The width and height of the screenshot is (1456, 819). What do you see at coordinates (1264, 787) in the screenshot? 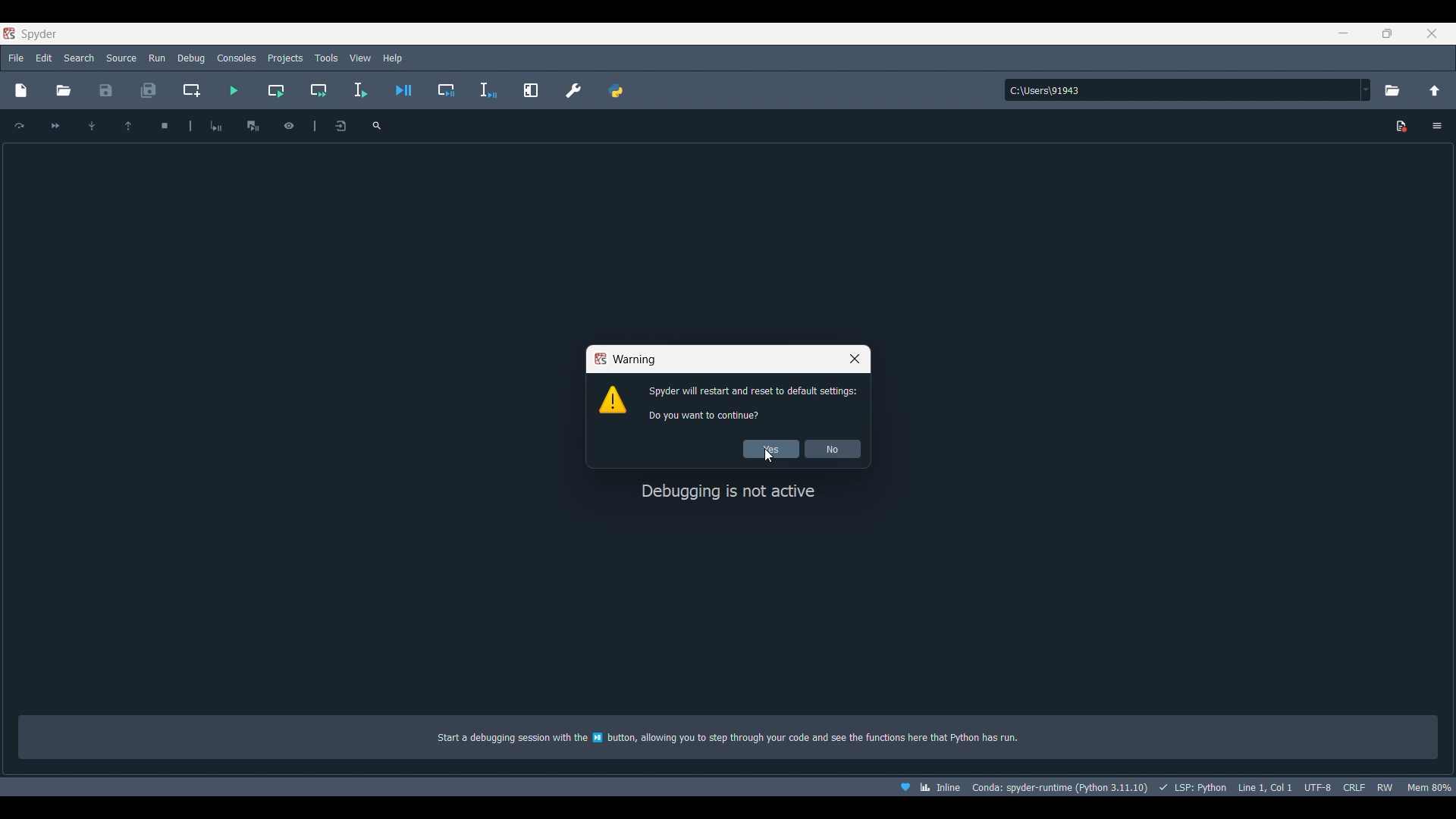
I see `line 1, col1` at bounding box center [1264, 787].